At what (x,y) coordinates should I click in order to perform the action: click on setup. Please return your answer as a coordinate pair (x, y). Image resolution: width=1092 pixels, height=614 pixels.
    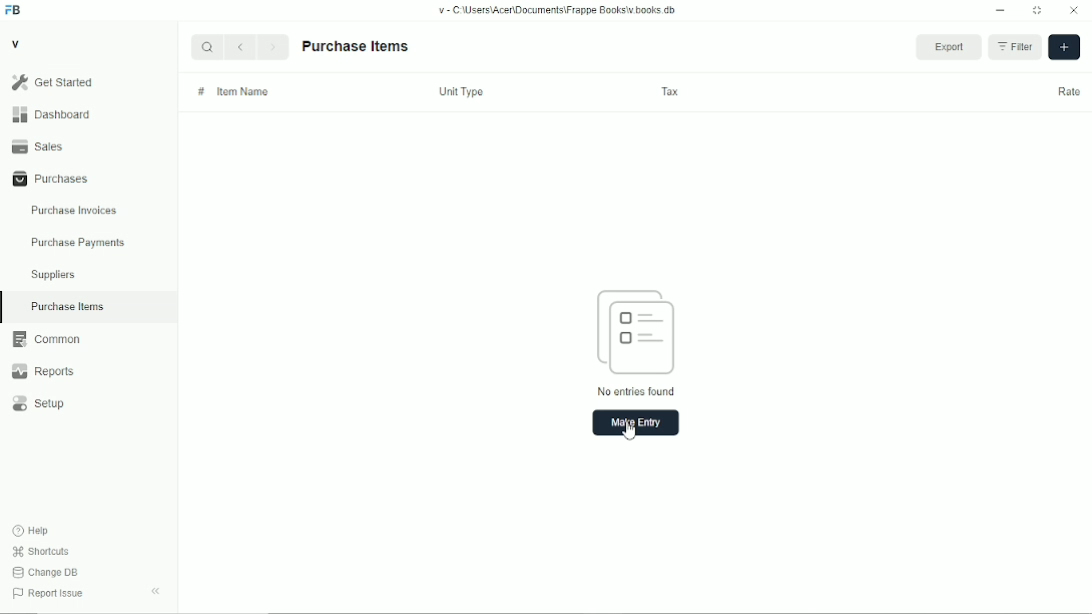
    Looking at the image, I should click on (39, 404).